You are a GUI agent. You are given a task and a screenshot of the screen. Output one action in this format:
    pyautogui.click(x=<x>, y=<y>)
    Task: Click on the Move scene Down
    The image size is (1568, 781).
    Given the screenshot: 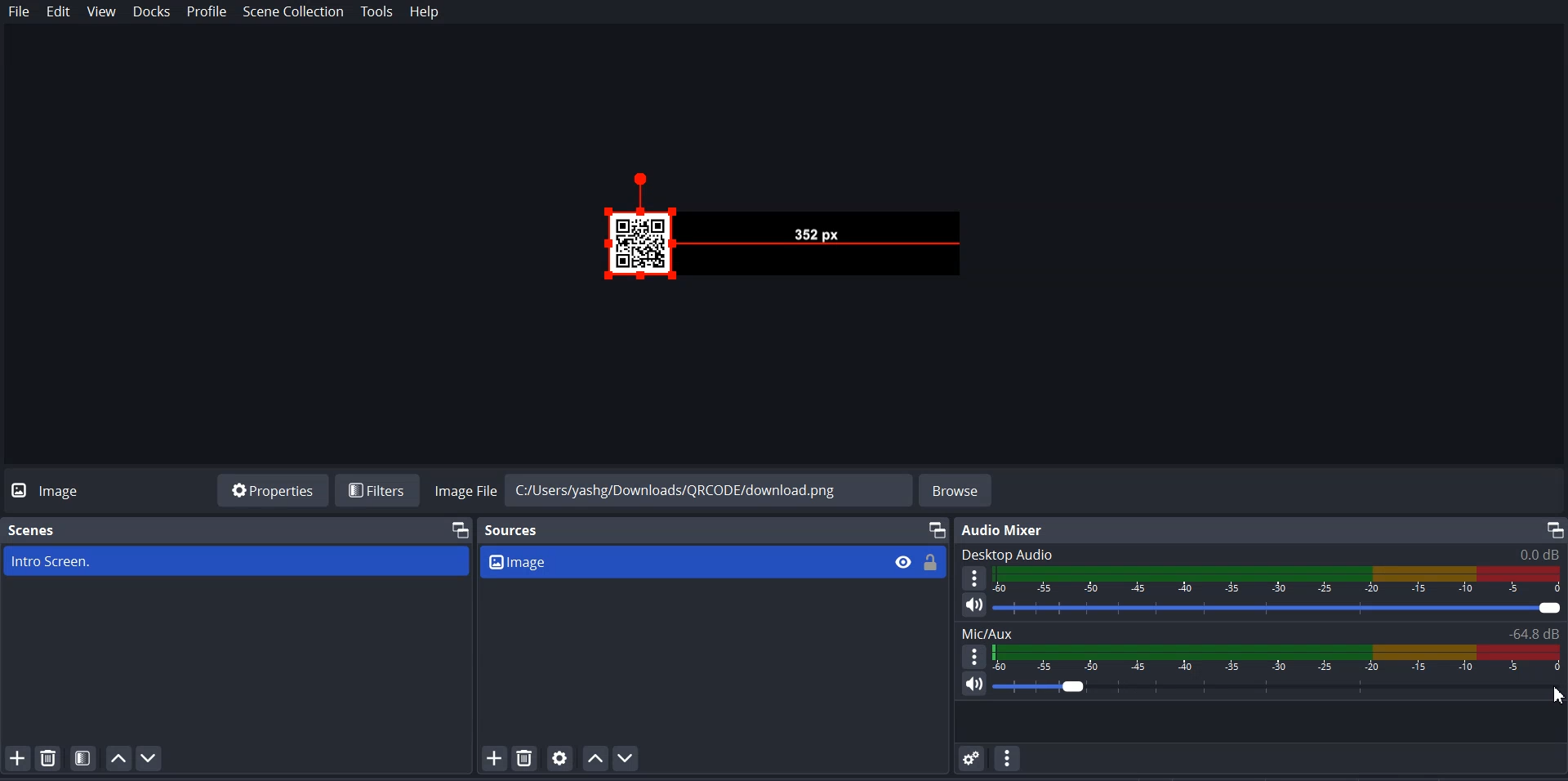 What is the action you would take?
    pyautogui.click(x=149, y=757)
    